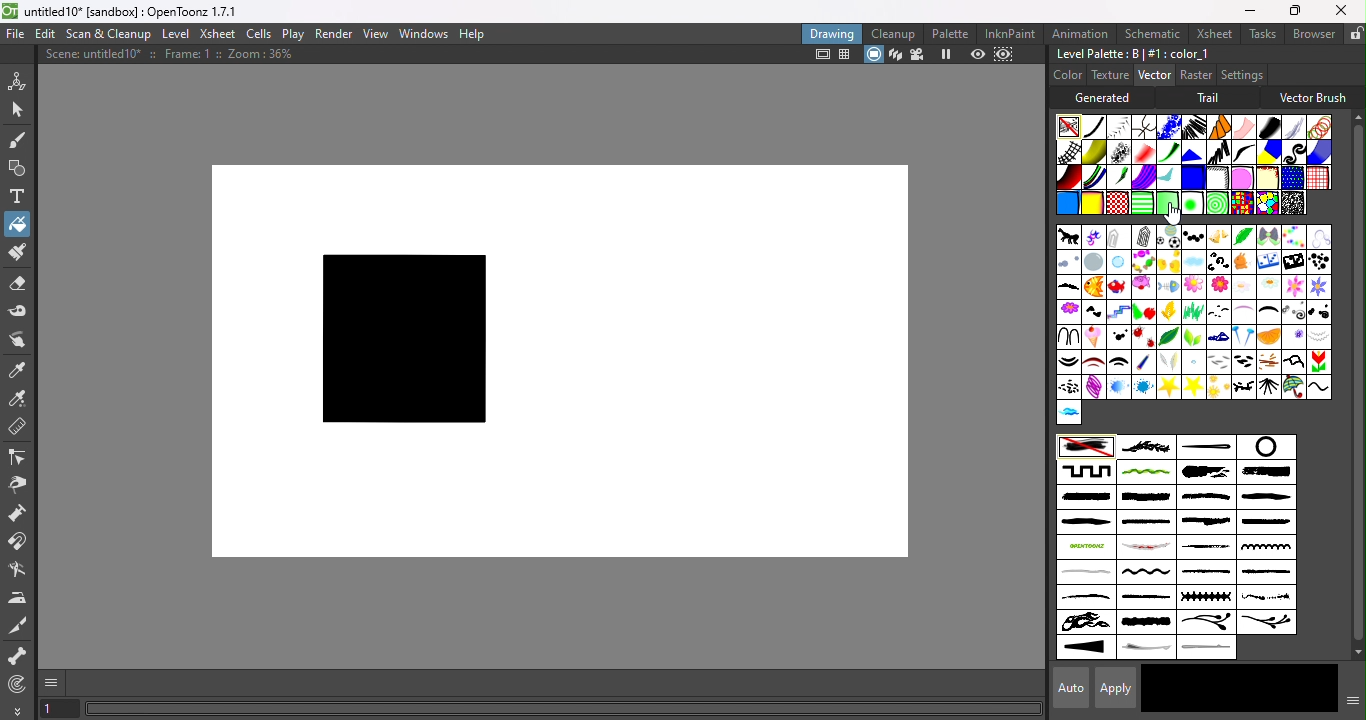  What do you see at coordinates (1093, 362) in the screenshot?
I see `Pare2` at bounding box center [1093, 362].